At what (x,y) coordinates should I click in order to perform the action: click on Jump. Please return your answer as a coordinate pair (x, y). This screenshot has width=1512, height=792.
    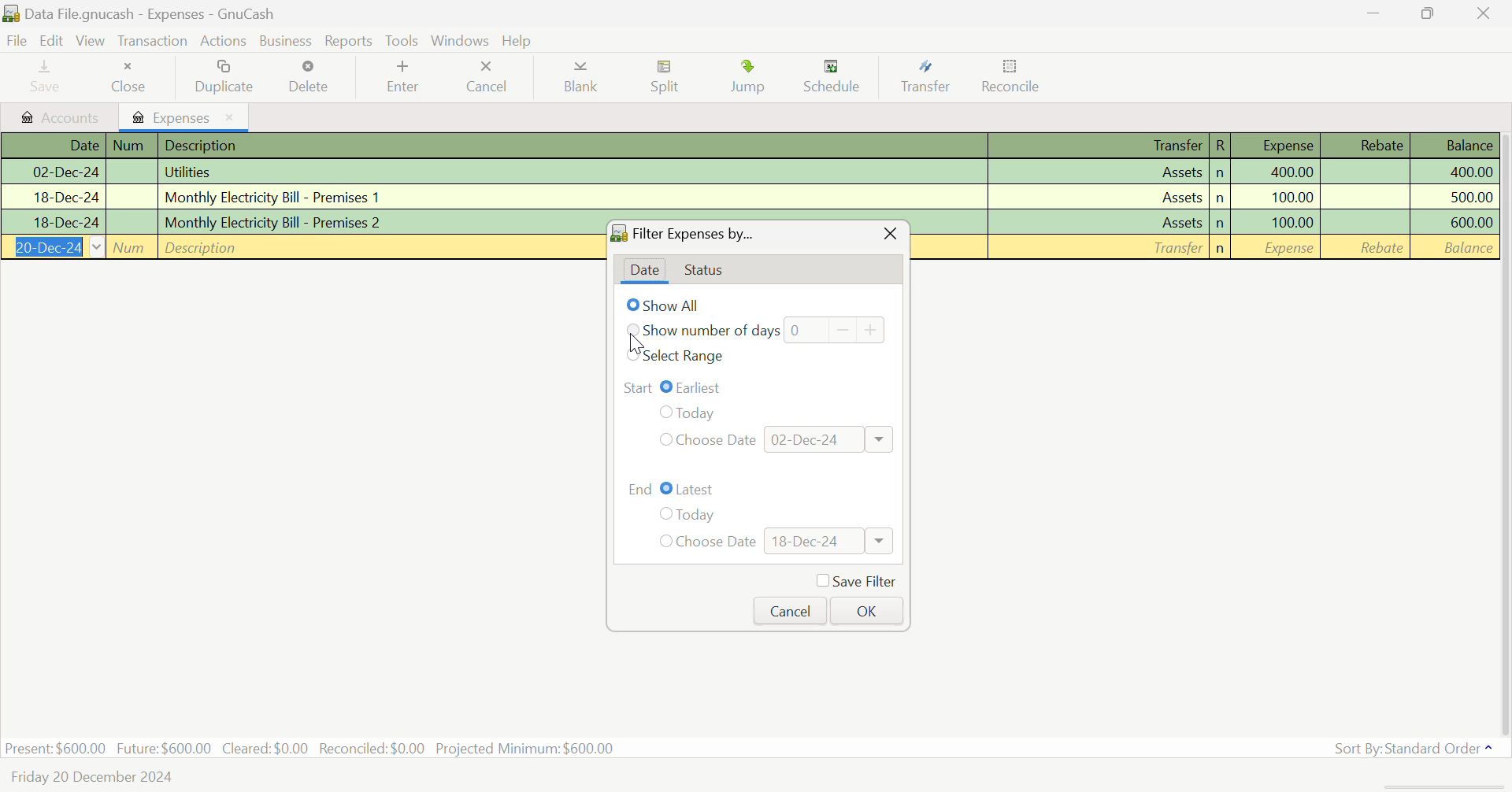
    Looking at the image, I should click on (747, 79).